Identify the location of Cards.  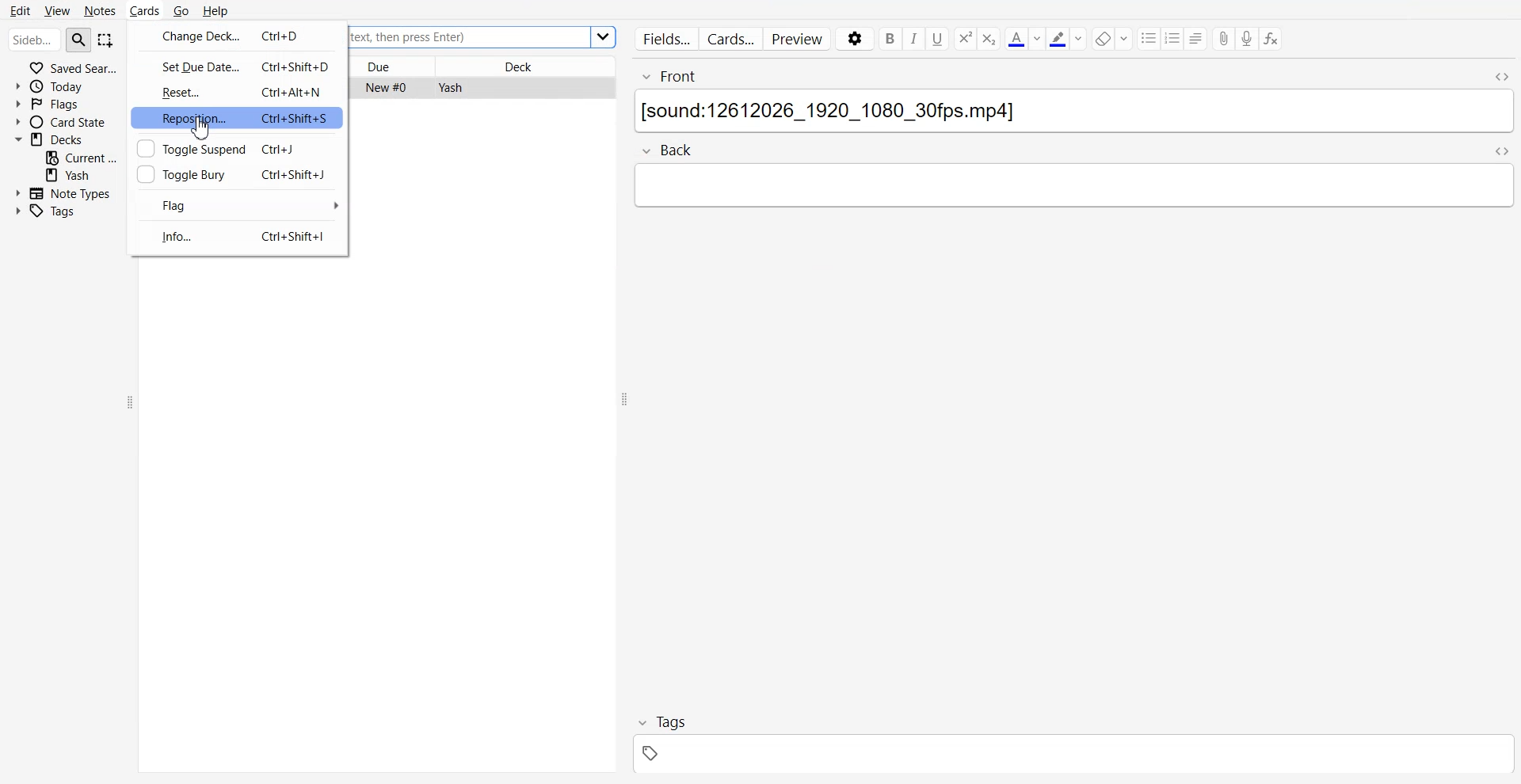
(145, 10).